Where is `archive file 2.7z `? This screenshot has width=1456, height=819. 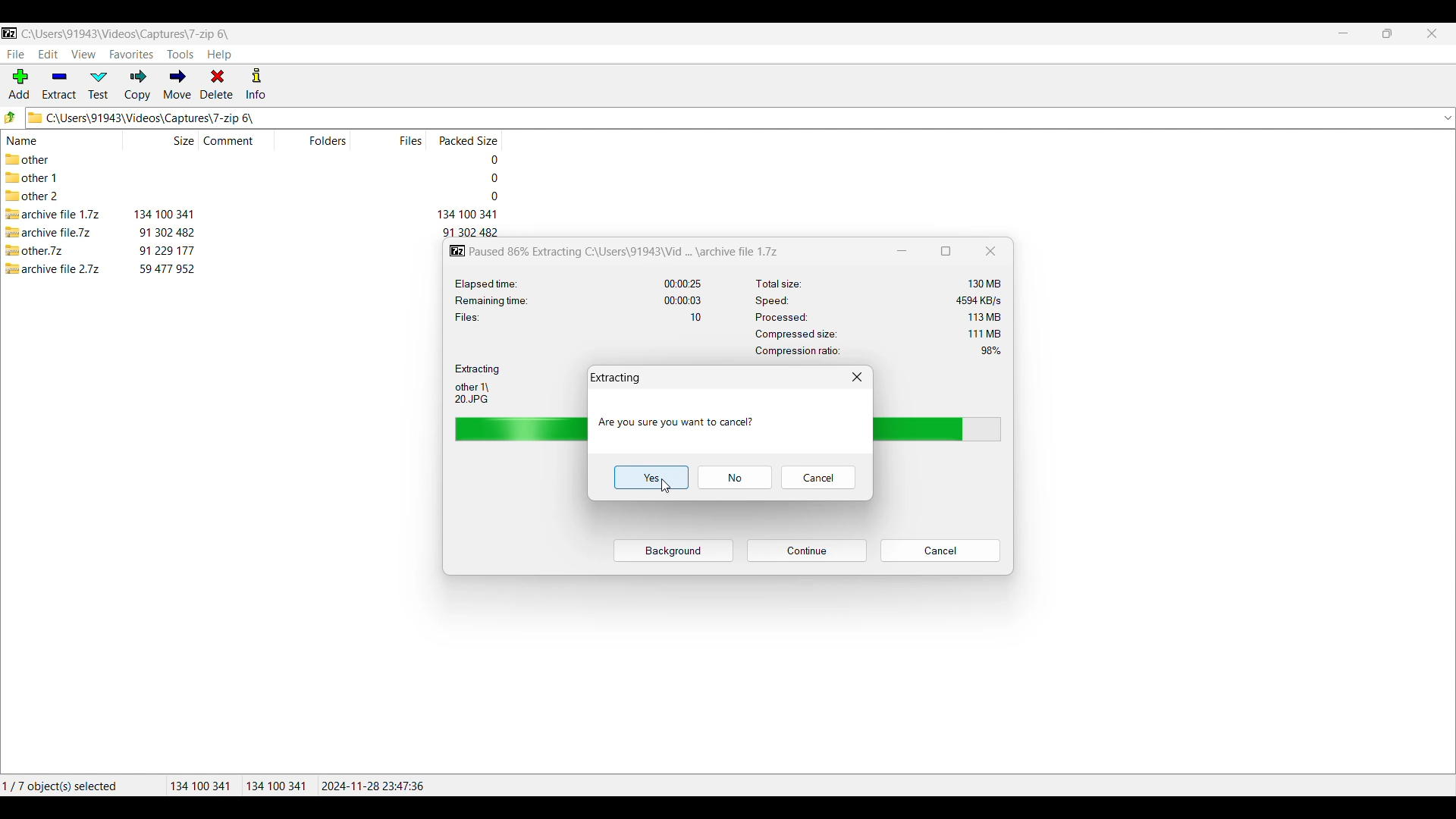
archive file 2.7z  is located at coordinates (55, 268).